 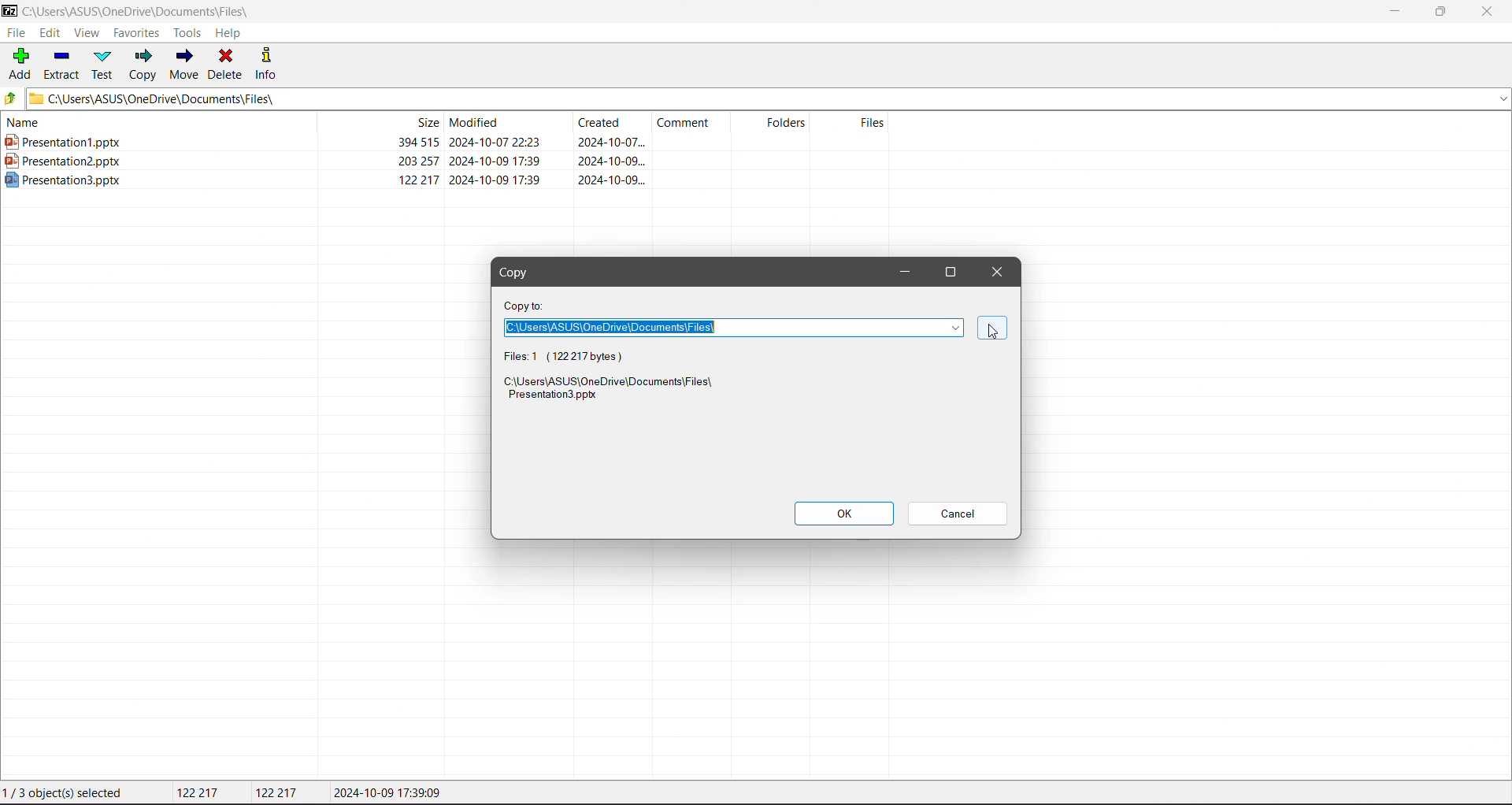 What do you see at coordinates (520, 273) in the screenshot?
I see `Copy` at bounding box center [520, 273].